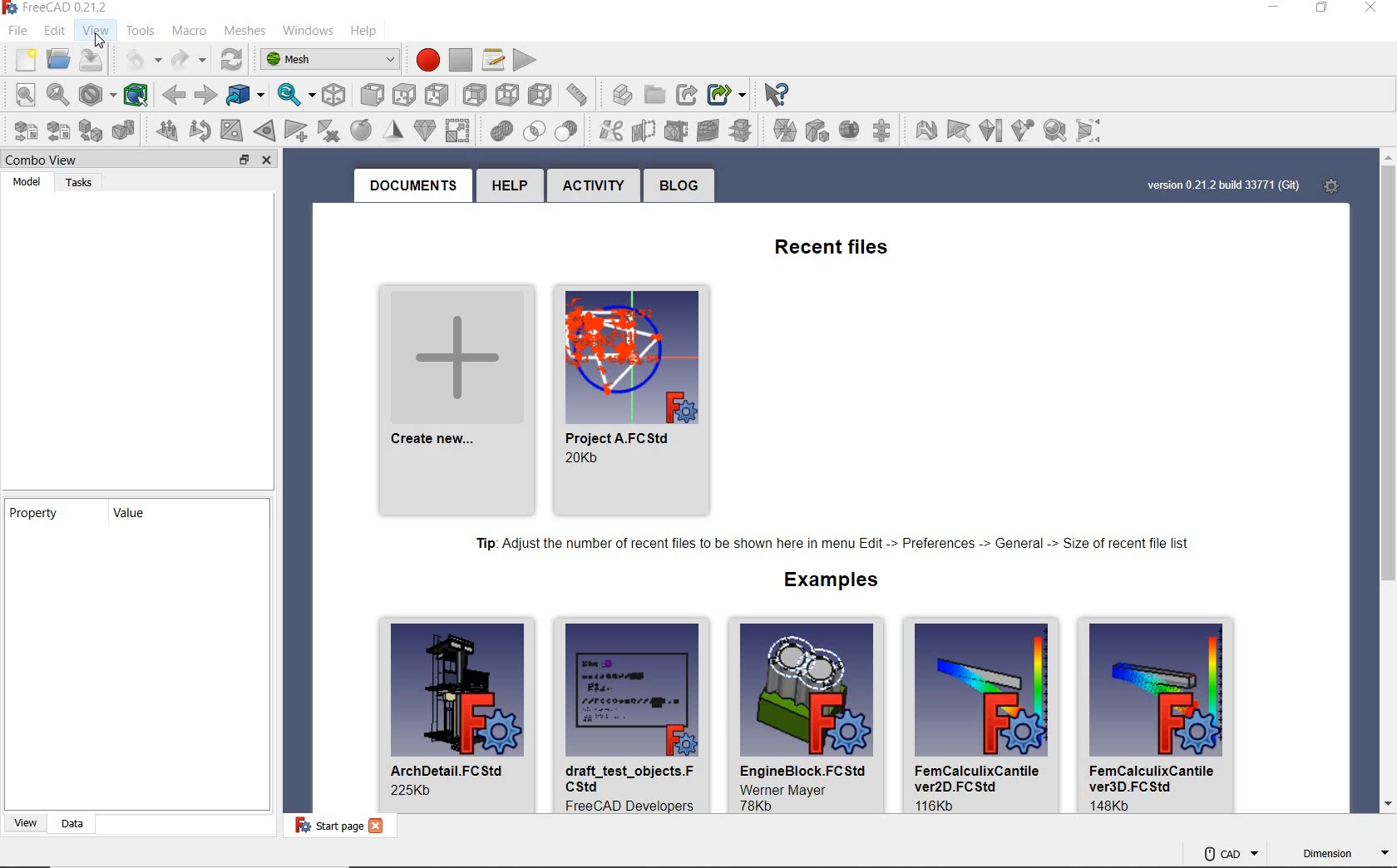  What do you see at coordinates (690, 90) in the screenshot?
I see `make sub-link` at bounding box center [690, 90].